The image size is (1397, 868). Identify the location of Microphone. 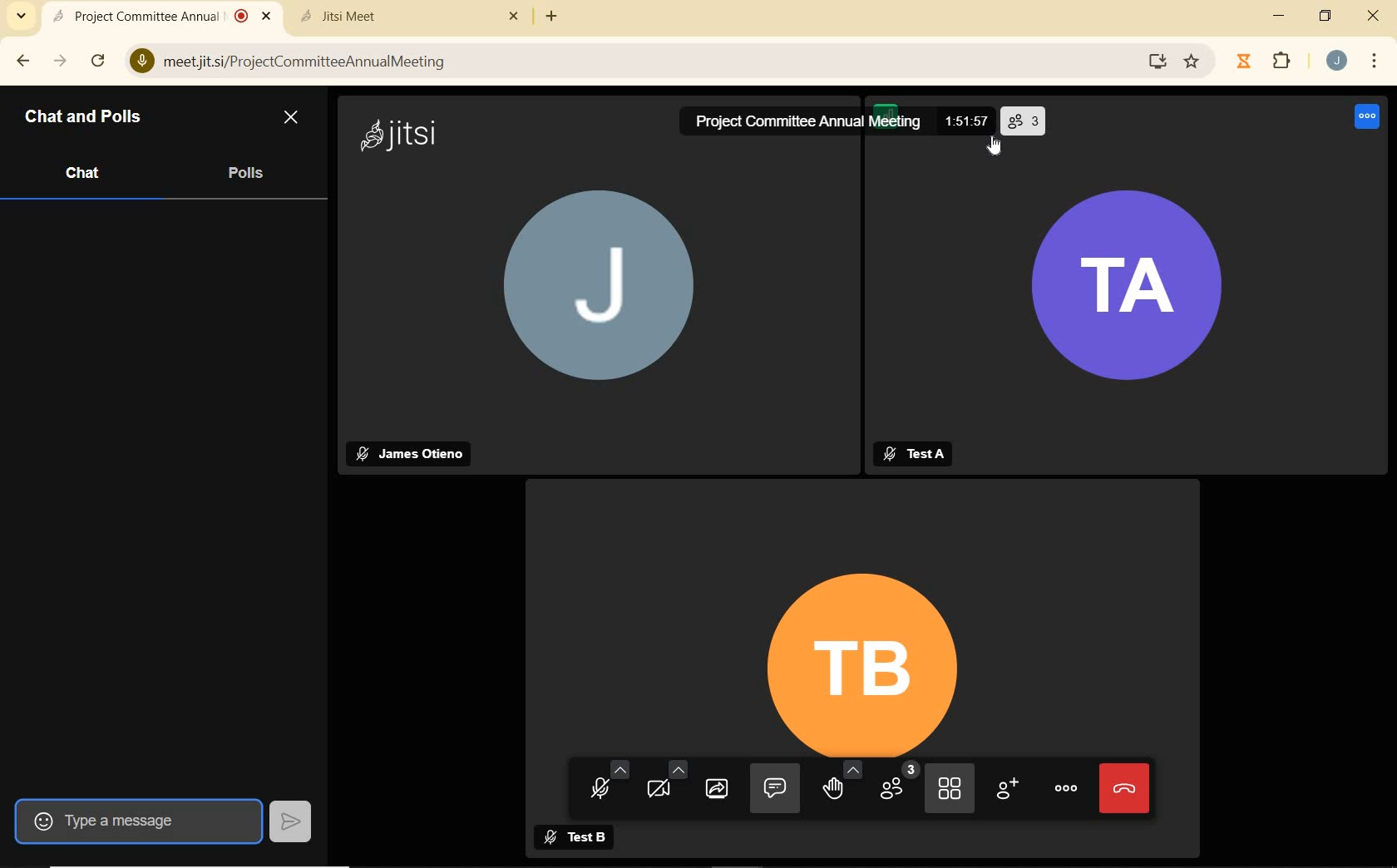
(138, 63).